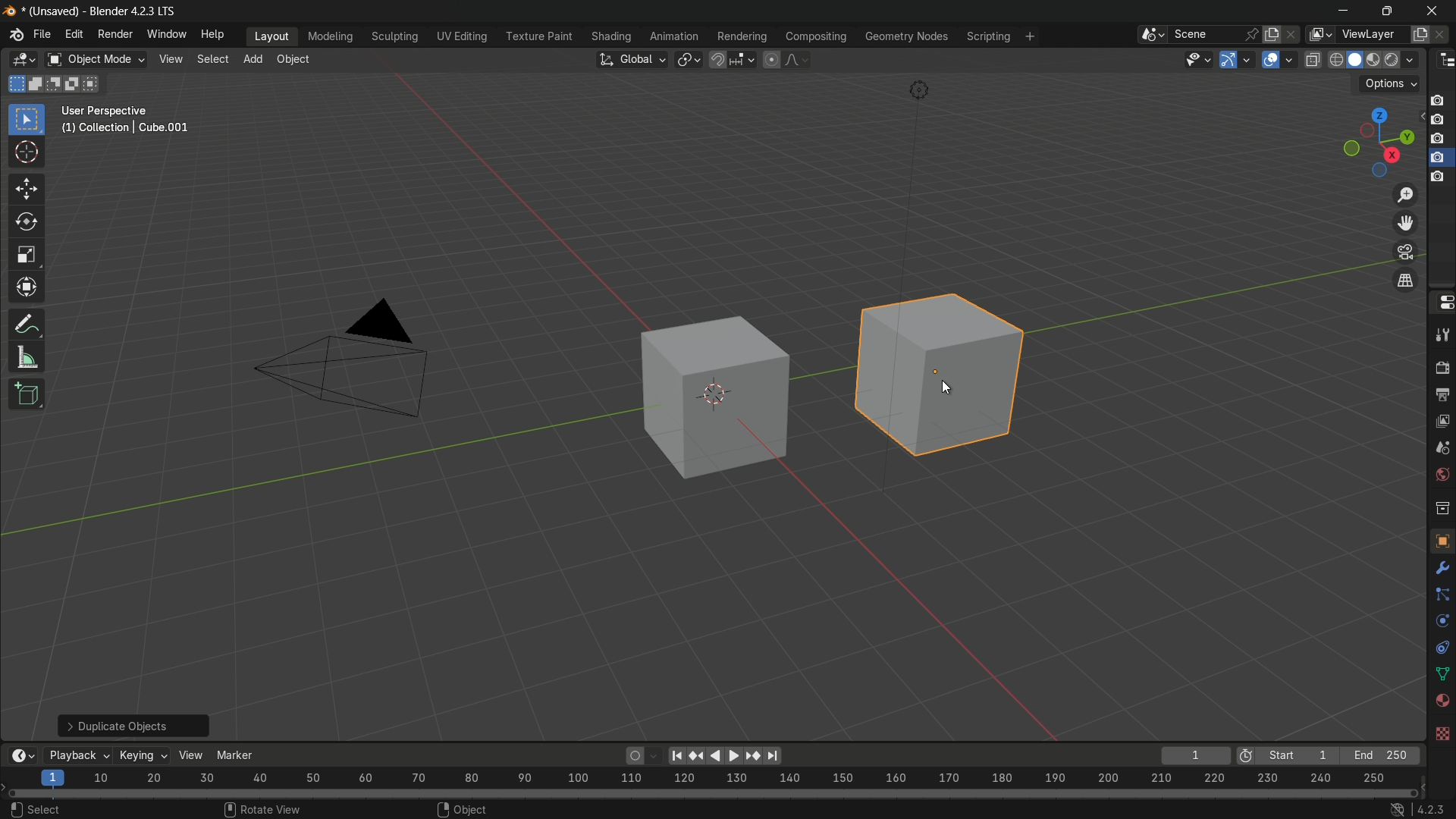  Describe the element at coordinates (1406, 253) in the screenshot. I see `toggle camera view` at that location.